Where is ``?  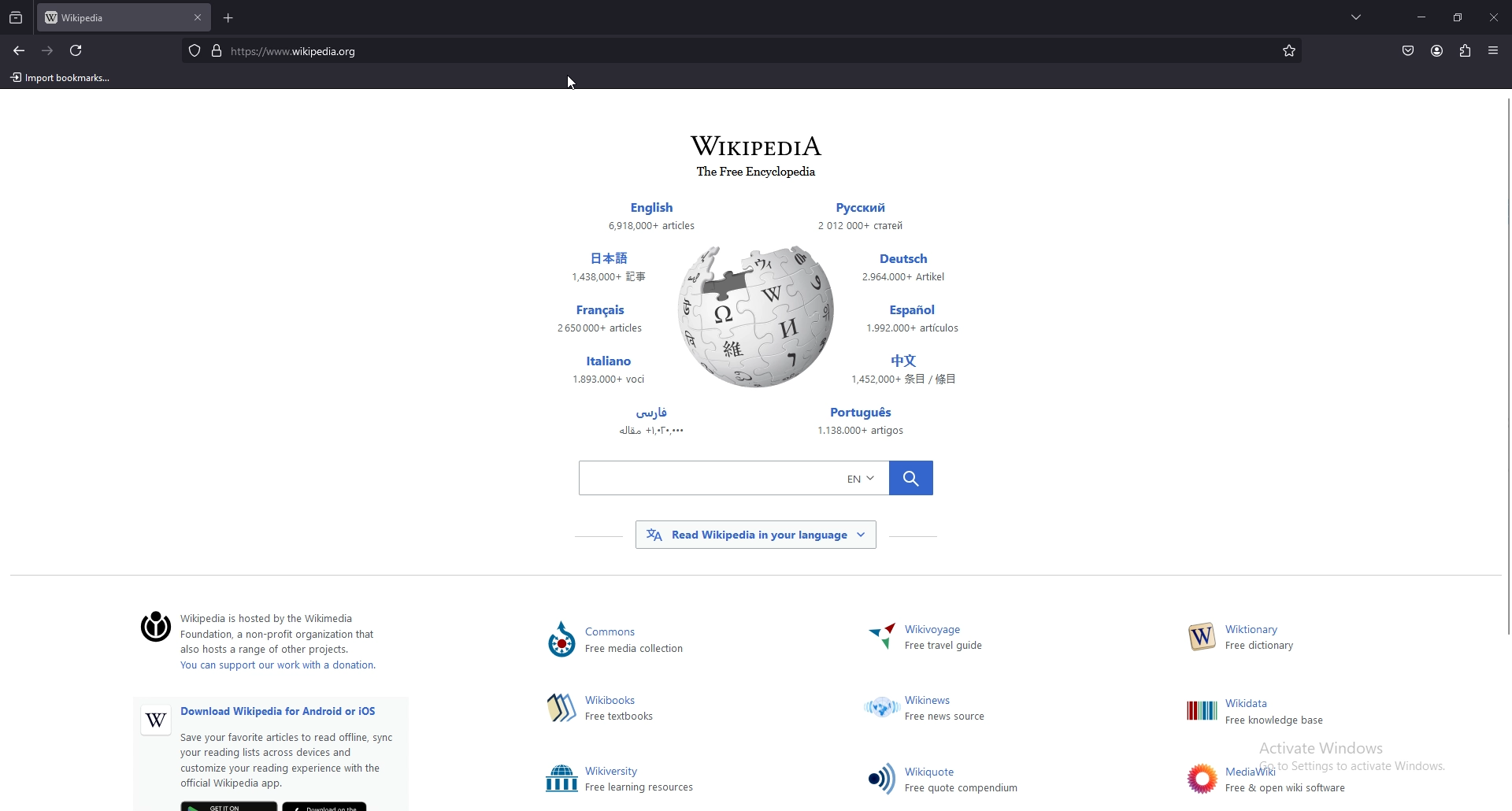  is located at coordinates (1288, 780).